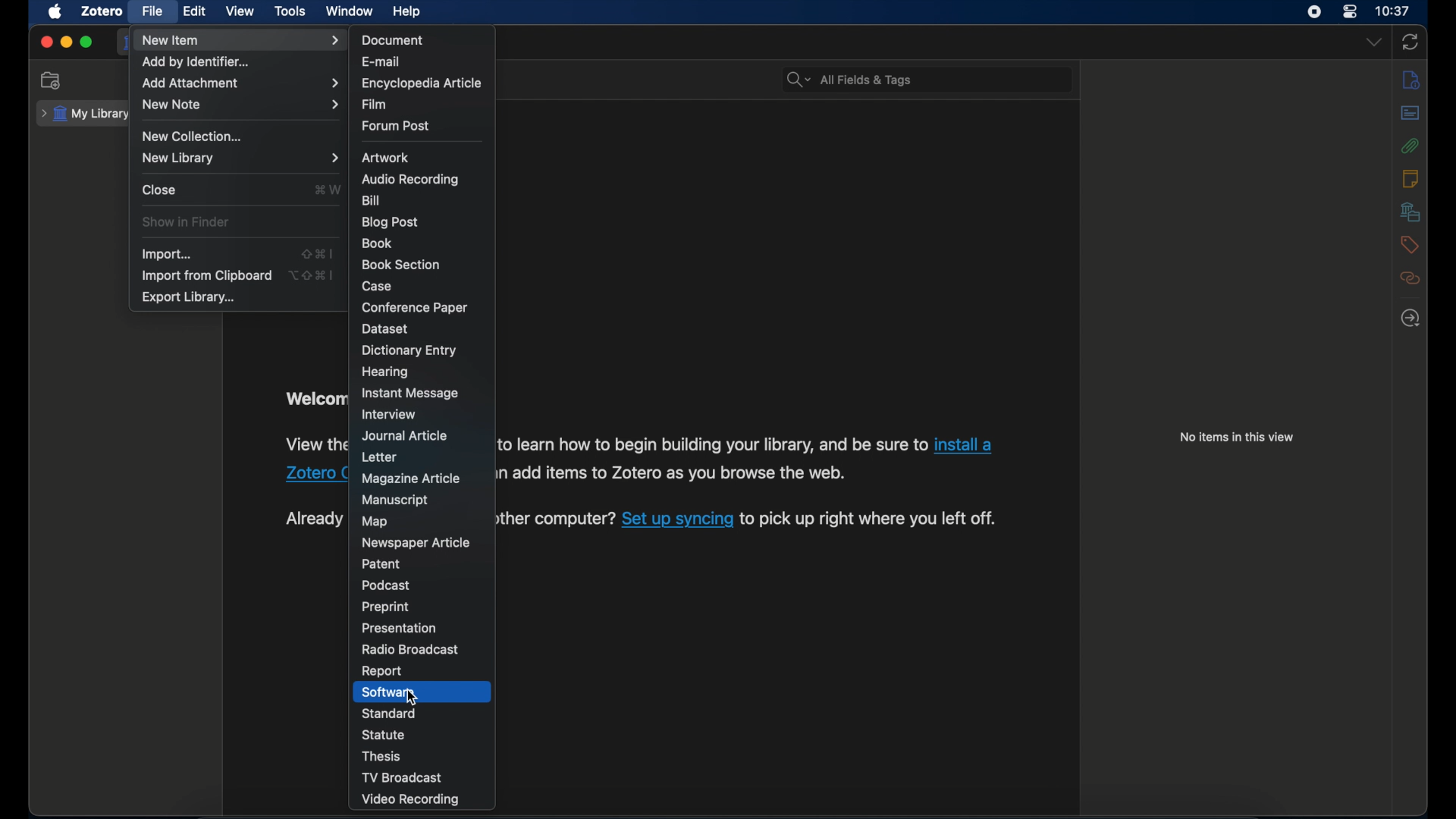 This screenshot has width=1456, height=819. Describe the element at coordinates (196, 62) in the screenshot. I see `add by identifier` at that location.